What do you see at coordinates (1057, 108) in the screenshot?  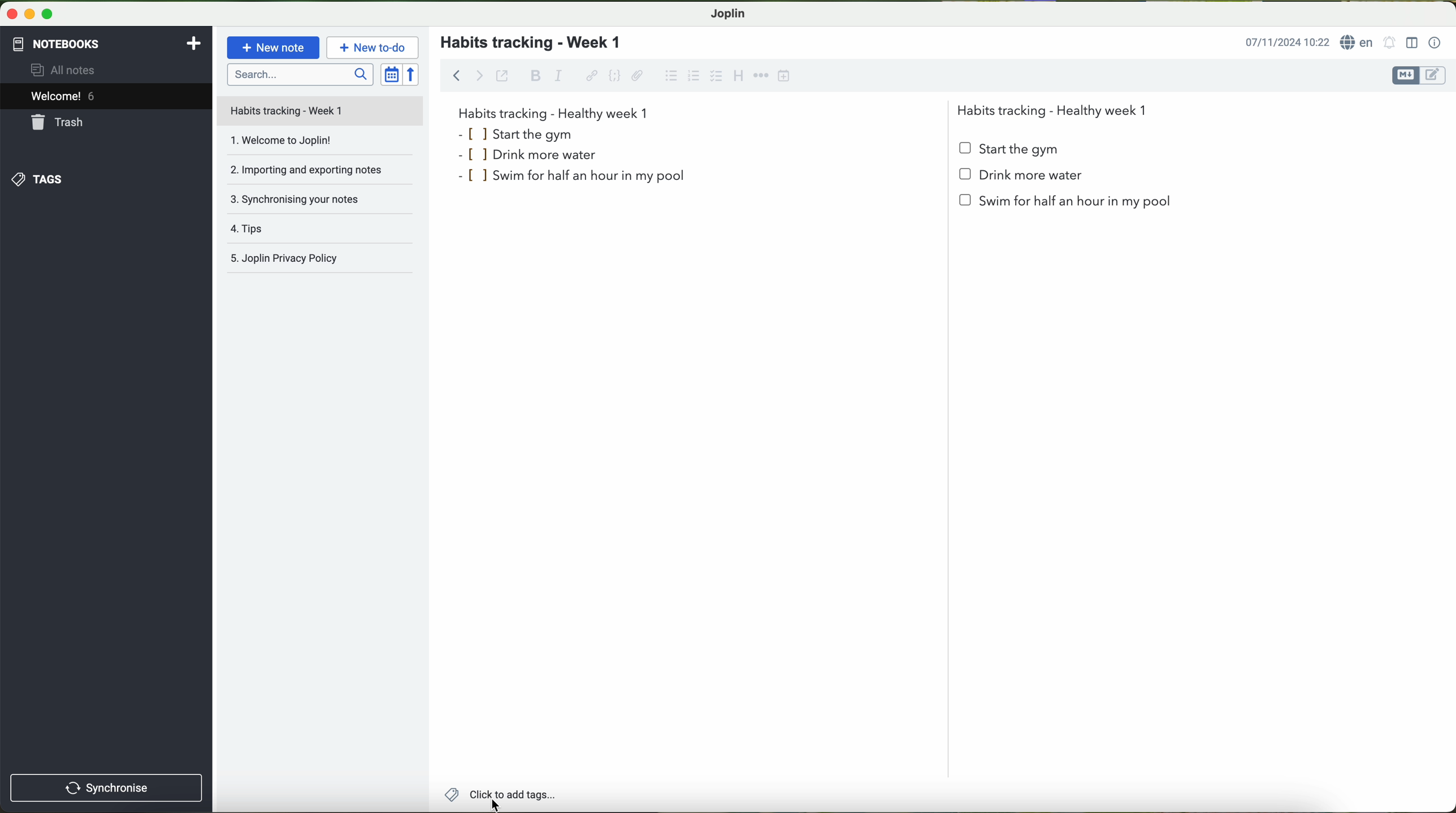 I see `Habits tracking - Healthy week 1` at bounding box center [1057, 108].